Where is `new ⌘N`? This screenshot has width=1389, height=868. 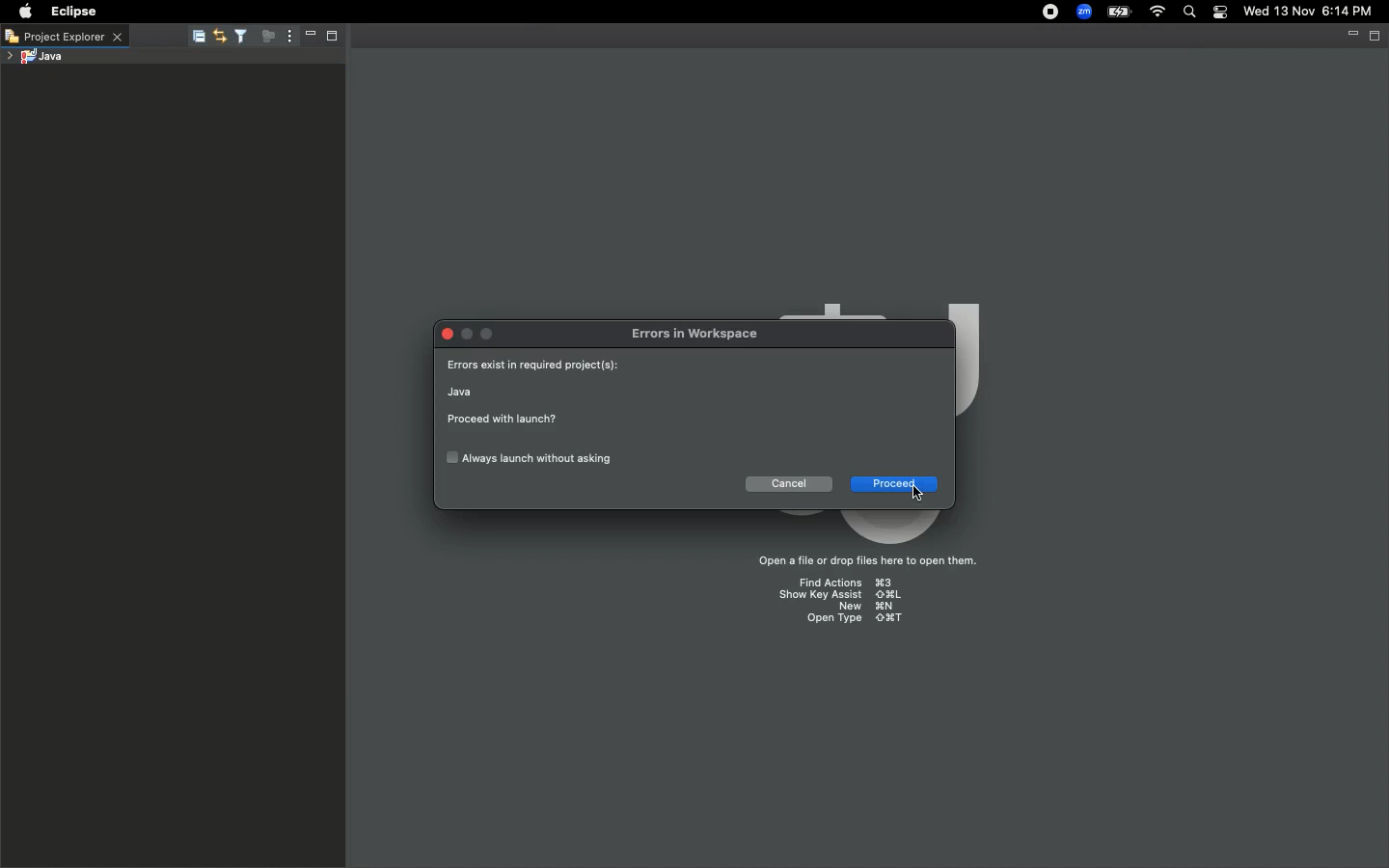
new ⌘N is located at coordinates (869, 607).